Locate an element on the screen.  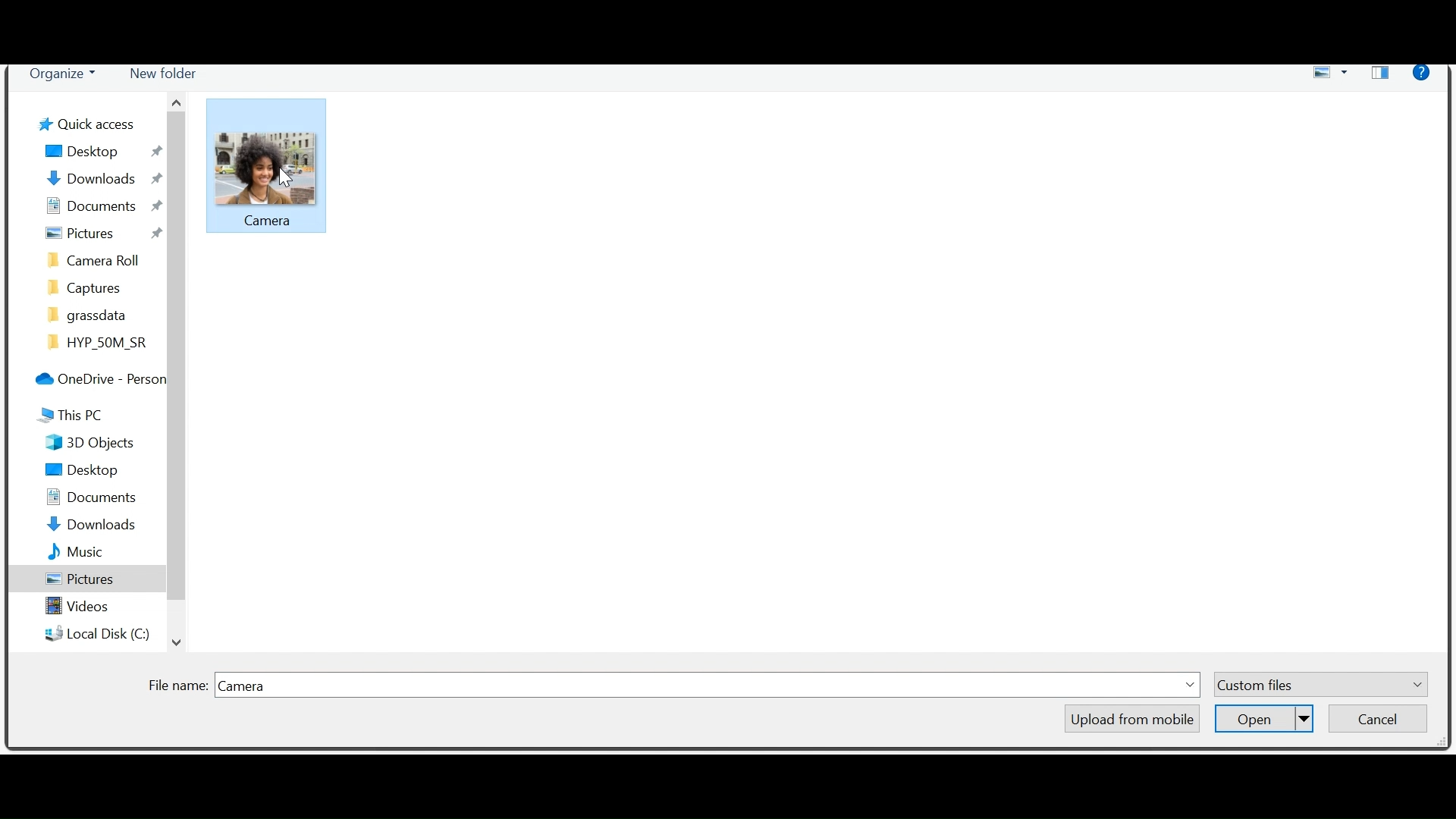
This Pc is located at coordinates (85, 415).